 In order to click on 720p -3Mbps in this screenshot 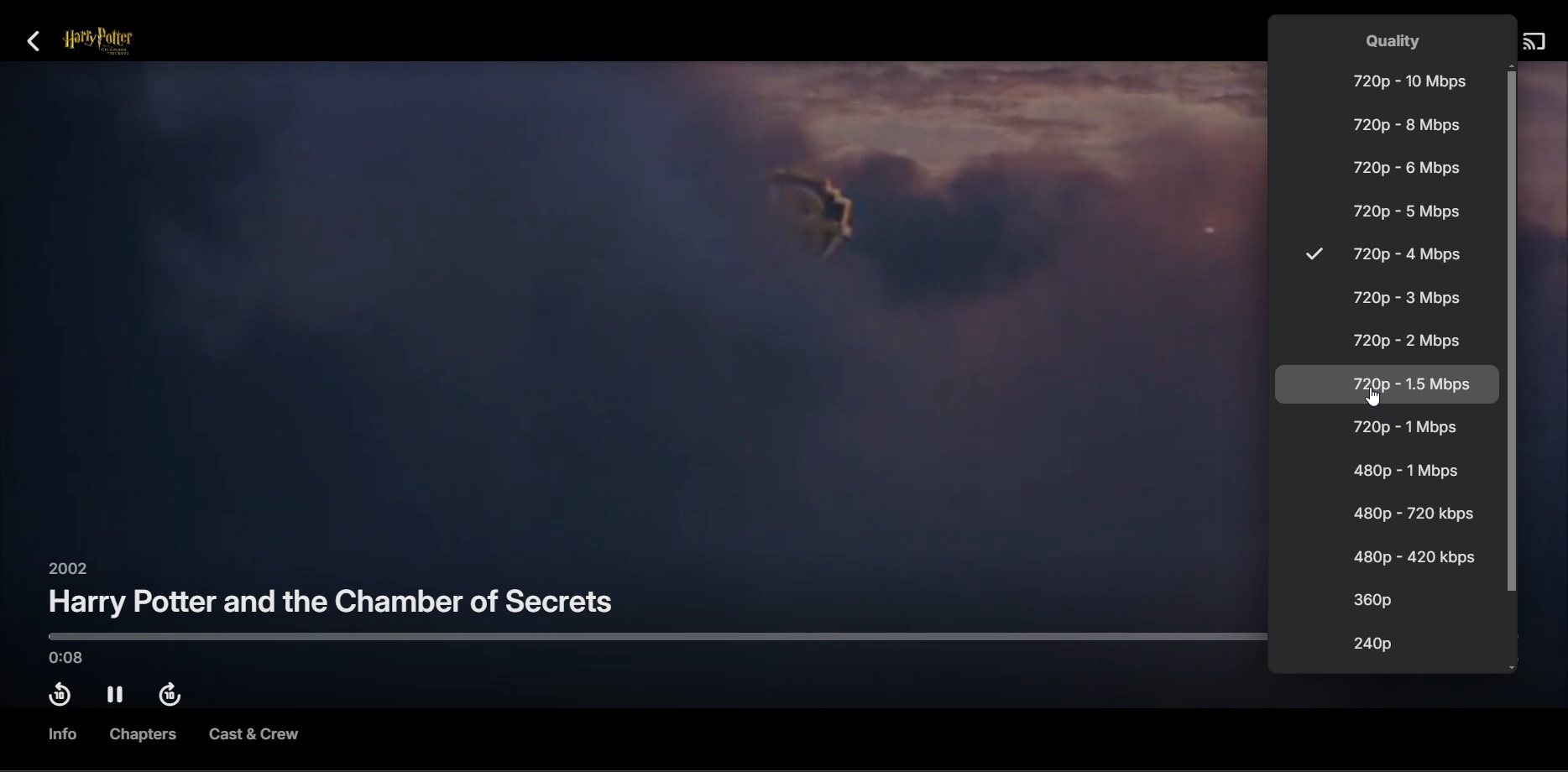, I will do `click(1403, 300)`.